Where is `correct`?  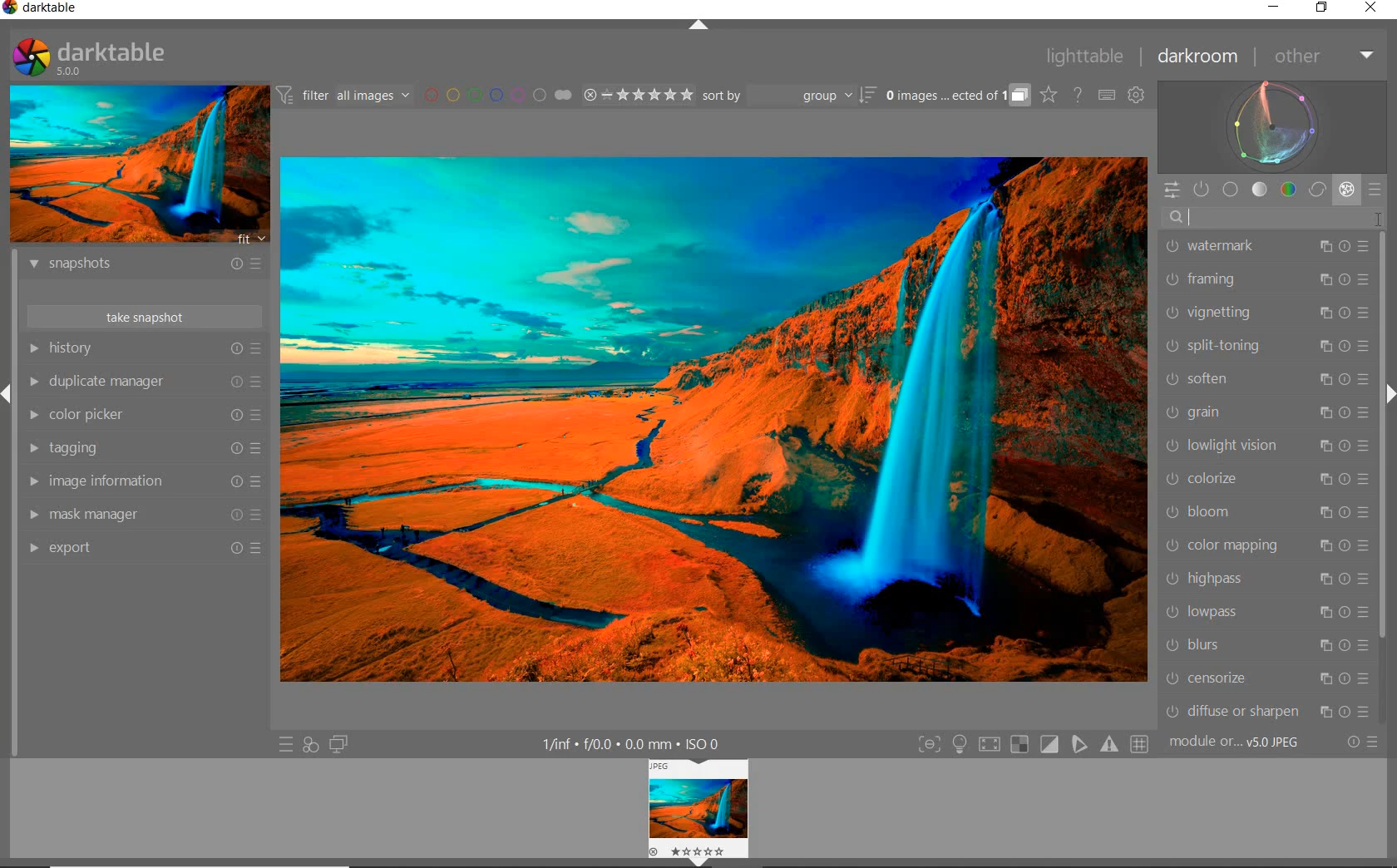
correct is located at coordinates (1316, 189).